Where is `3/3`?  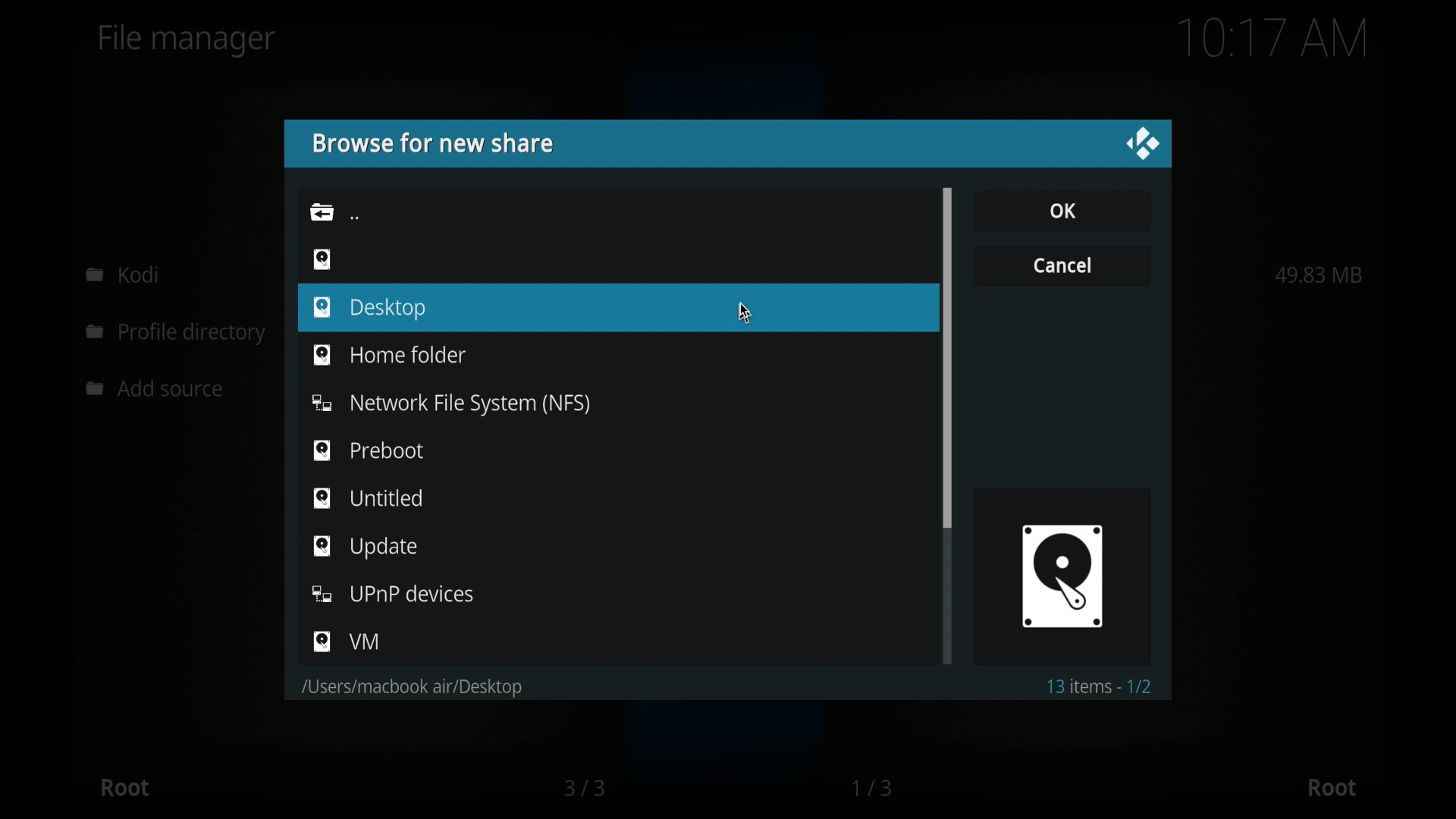 3/3 is located at coordinates (583, 788).